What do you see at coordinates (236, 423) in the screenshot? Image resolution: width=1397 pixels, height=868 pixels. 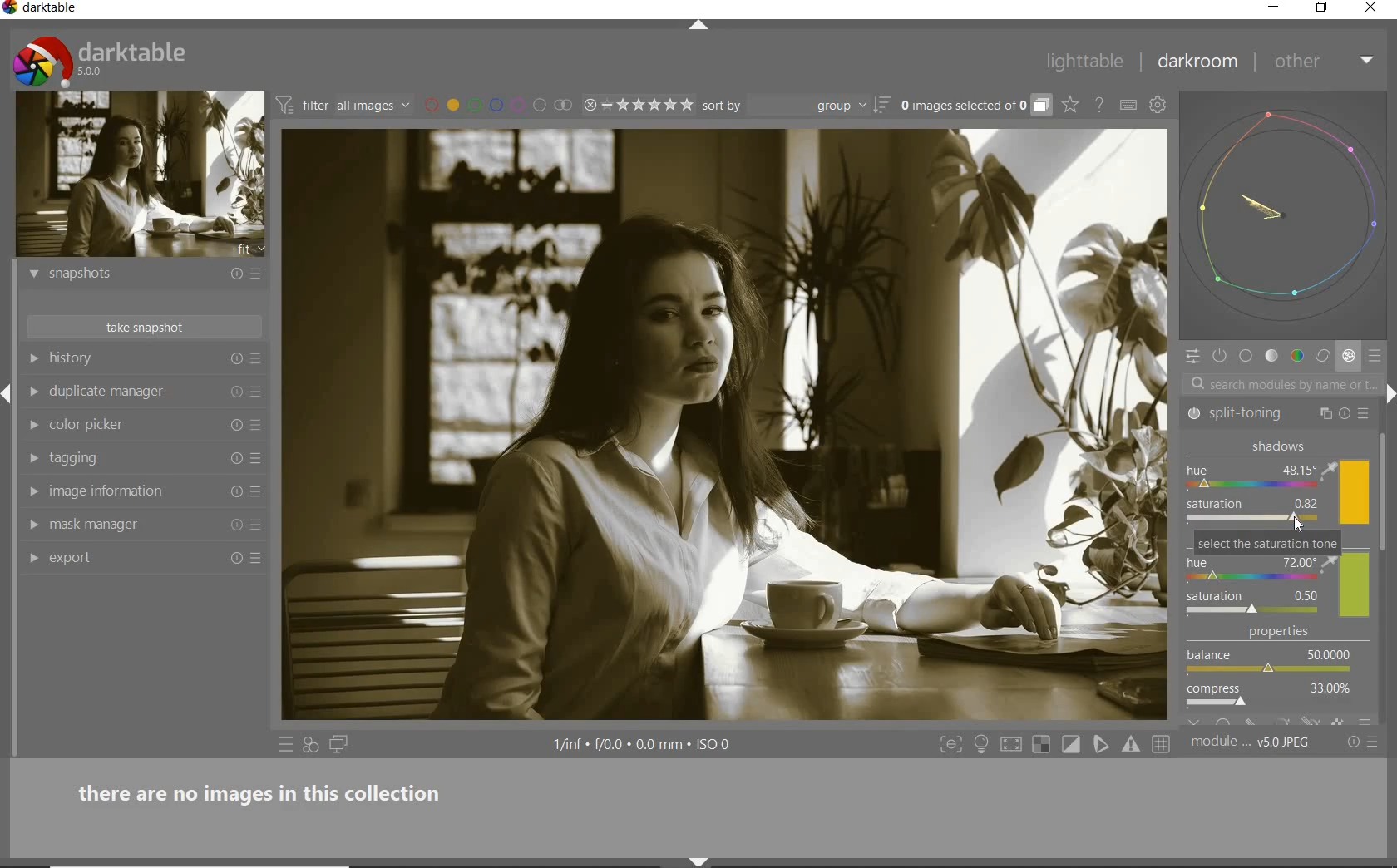 I see `reset` at bounding box center [236, 423].